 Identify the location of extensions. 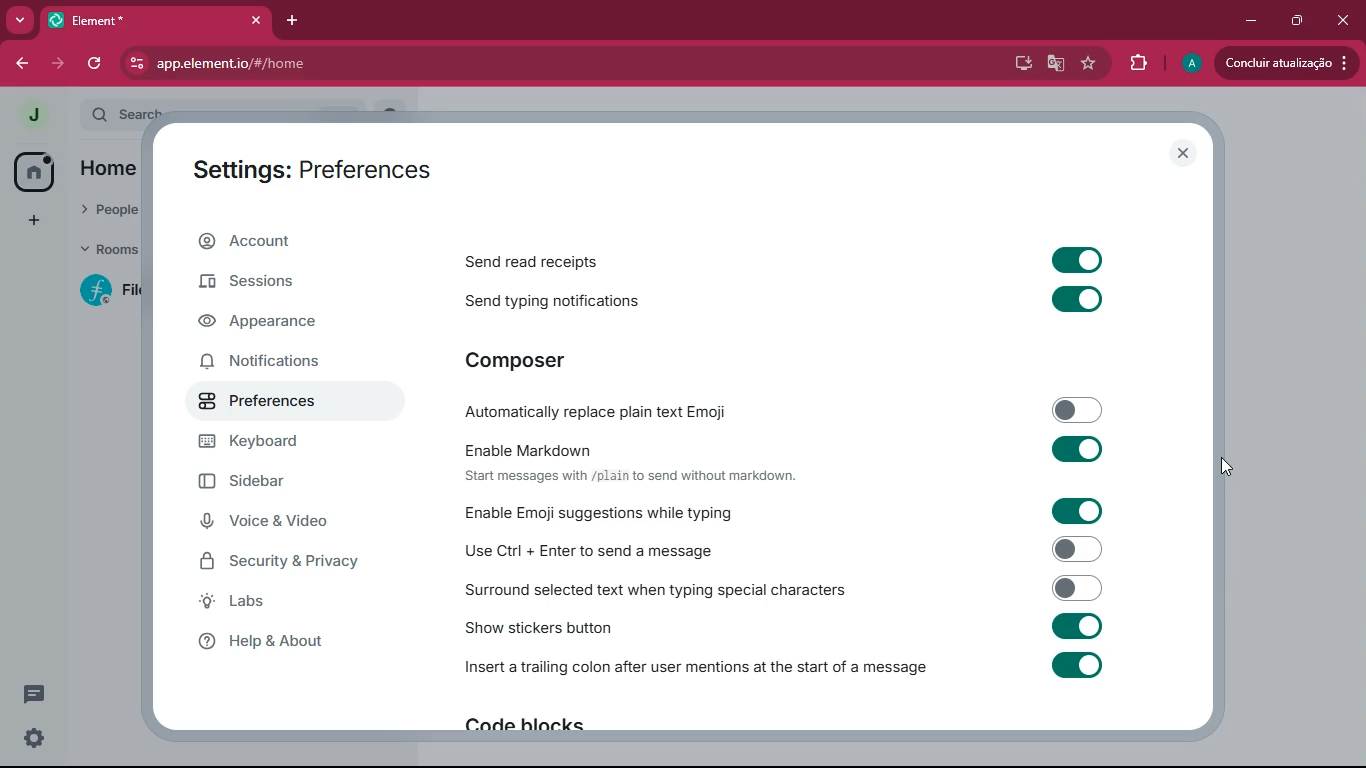
(1137, 64).